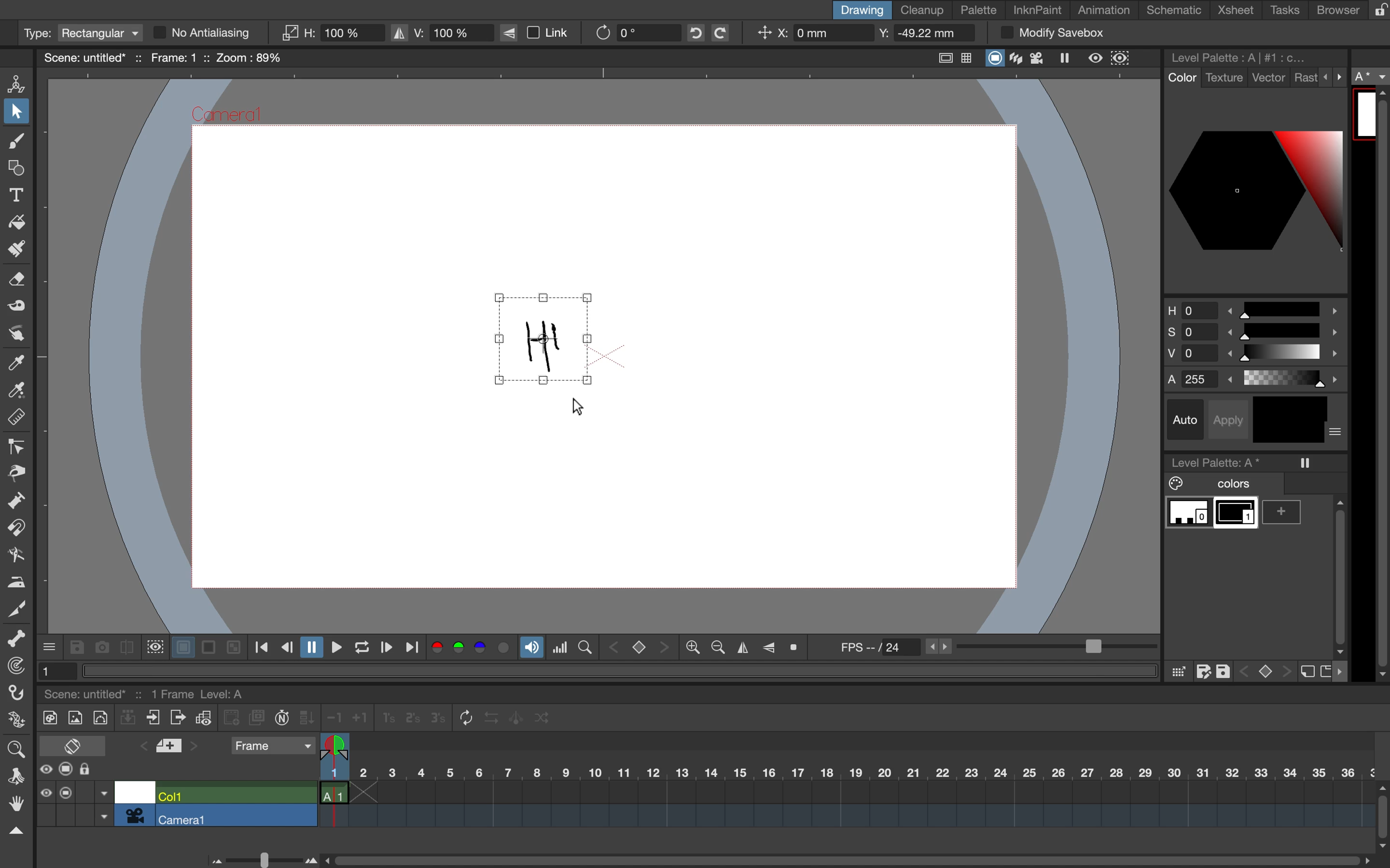 This screenshot has width=1390, height=868. Describe the element at coordinates (1176, 10) in the screenshot. I see `schematic` at that location.